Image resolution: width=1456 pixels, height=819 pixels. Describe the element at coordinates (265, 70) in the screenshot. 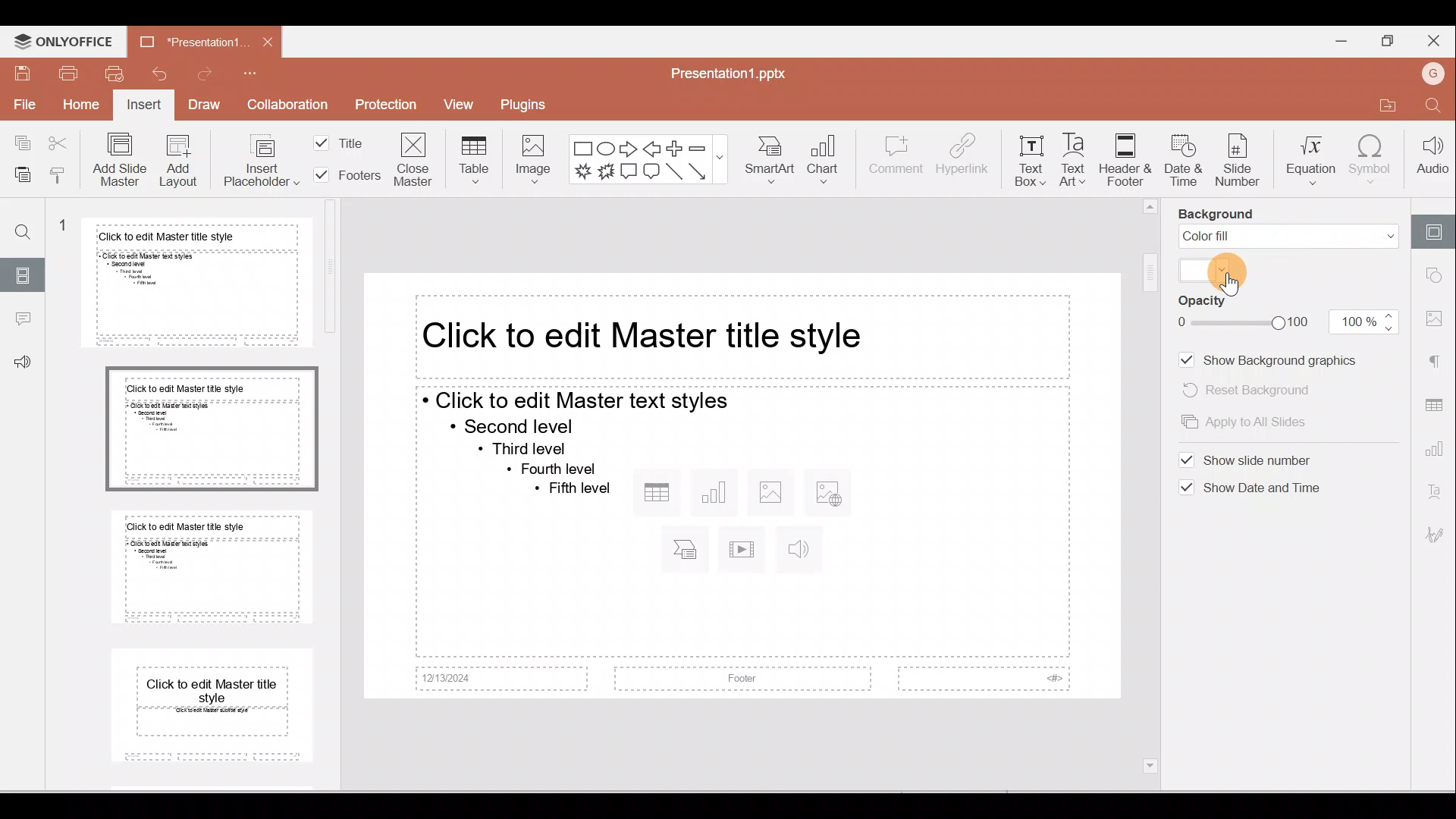

I see `Customise quick access toolbar` at that location.